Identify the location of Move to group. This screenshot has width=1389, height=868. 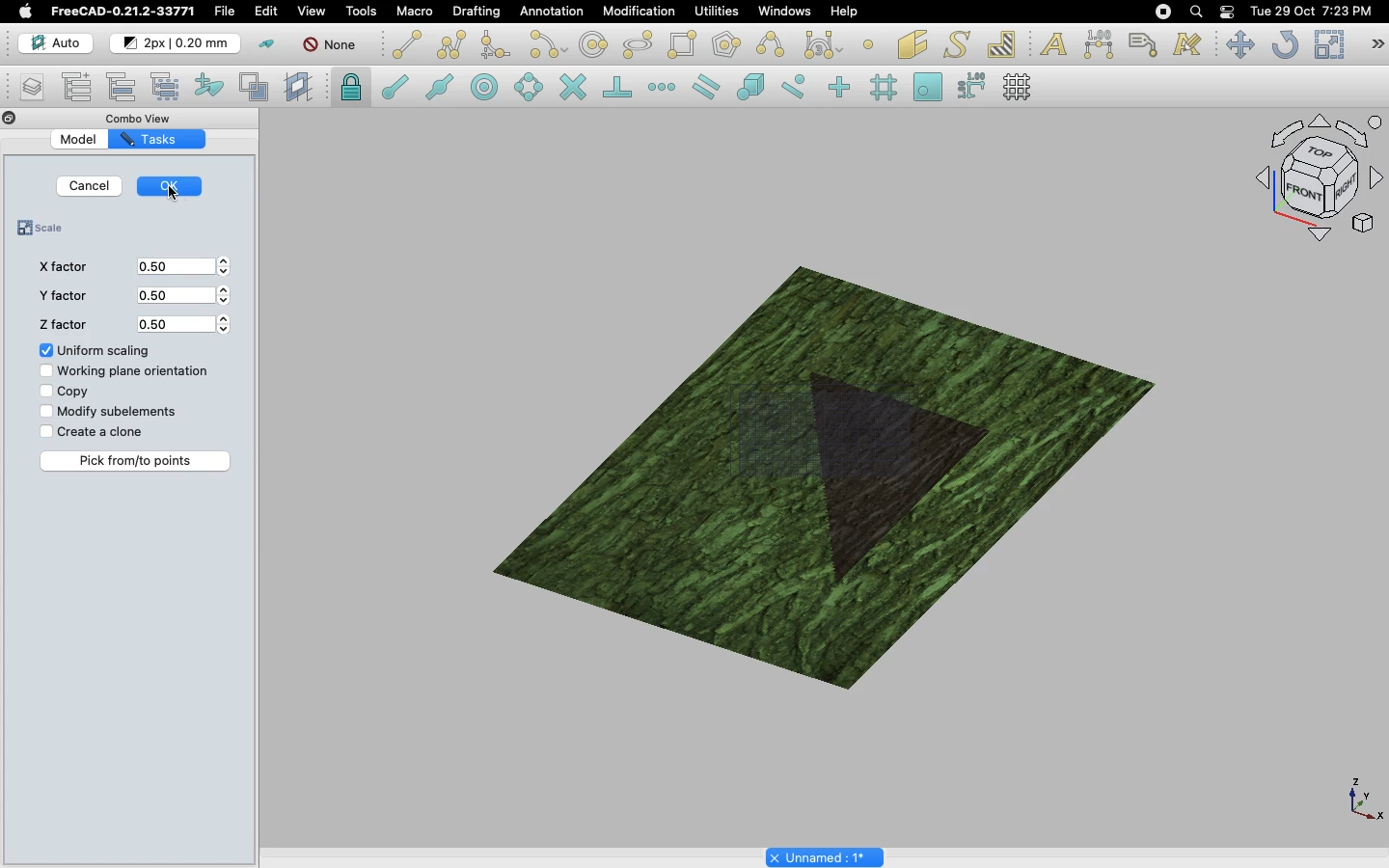
(123, 86).